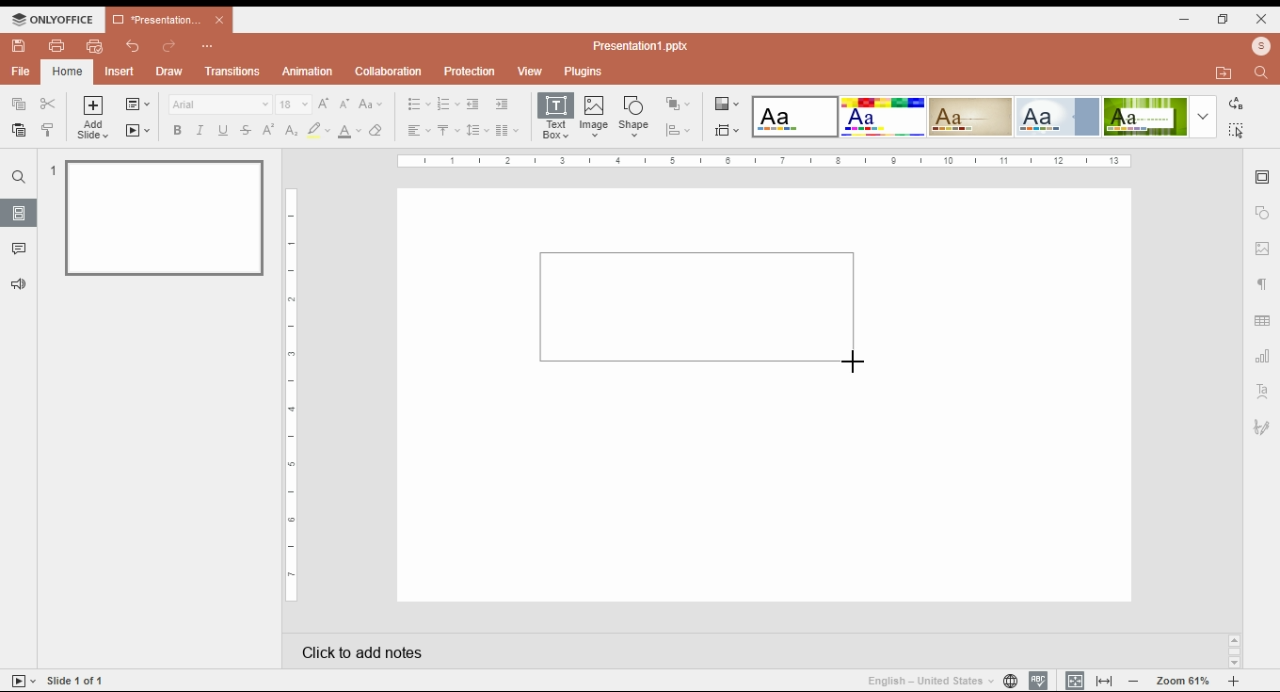 This screenshot has width=1280, height=692. What do you see at coordinates (555, 117) in the screenshot?
I see `insert text box` at bounding box center [555, 117].